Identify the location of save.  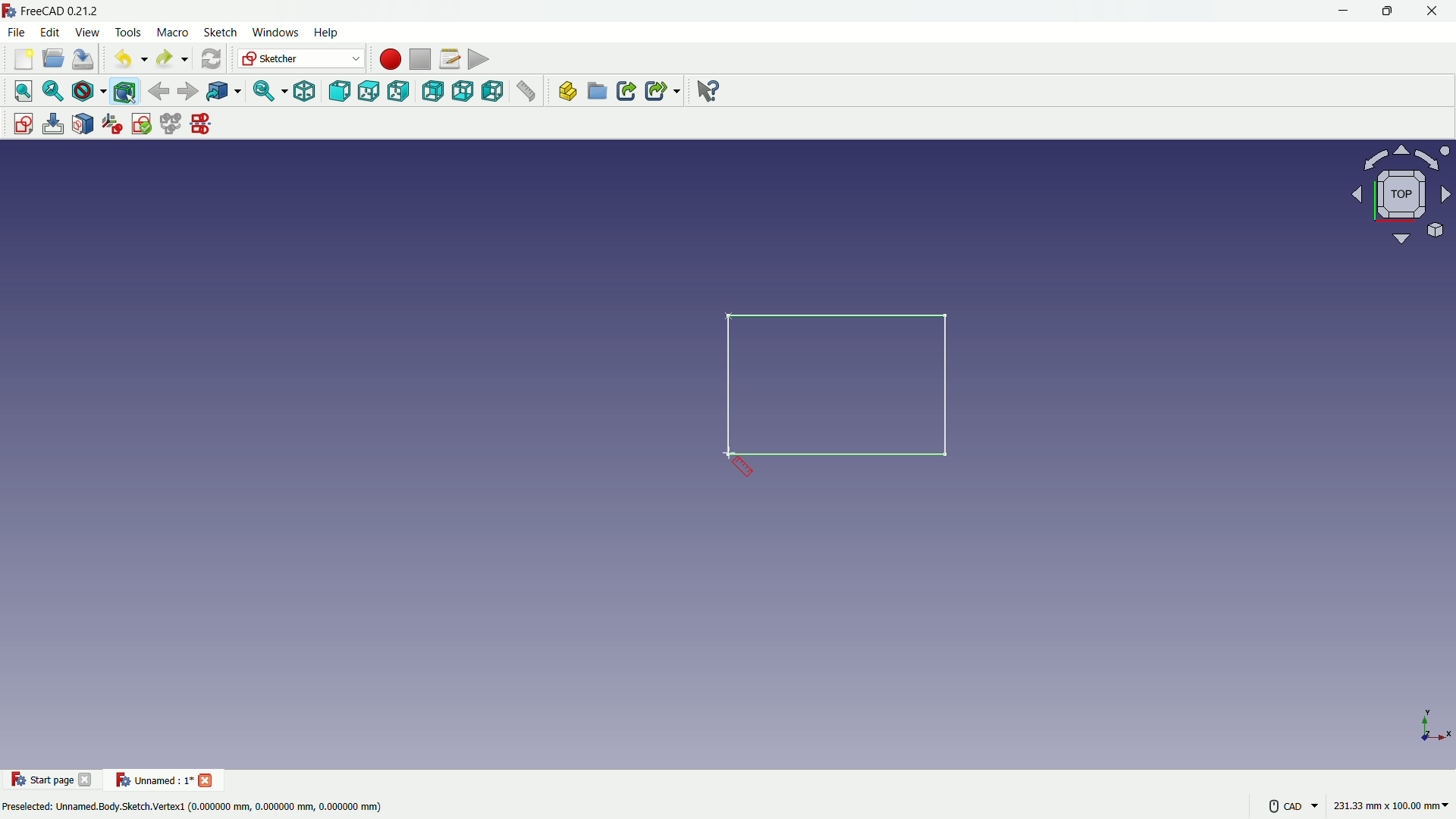
(84, 59).